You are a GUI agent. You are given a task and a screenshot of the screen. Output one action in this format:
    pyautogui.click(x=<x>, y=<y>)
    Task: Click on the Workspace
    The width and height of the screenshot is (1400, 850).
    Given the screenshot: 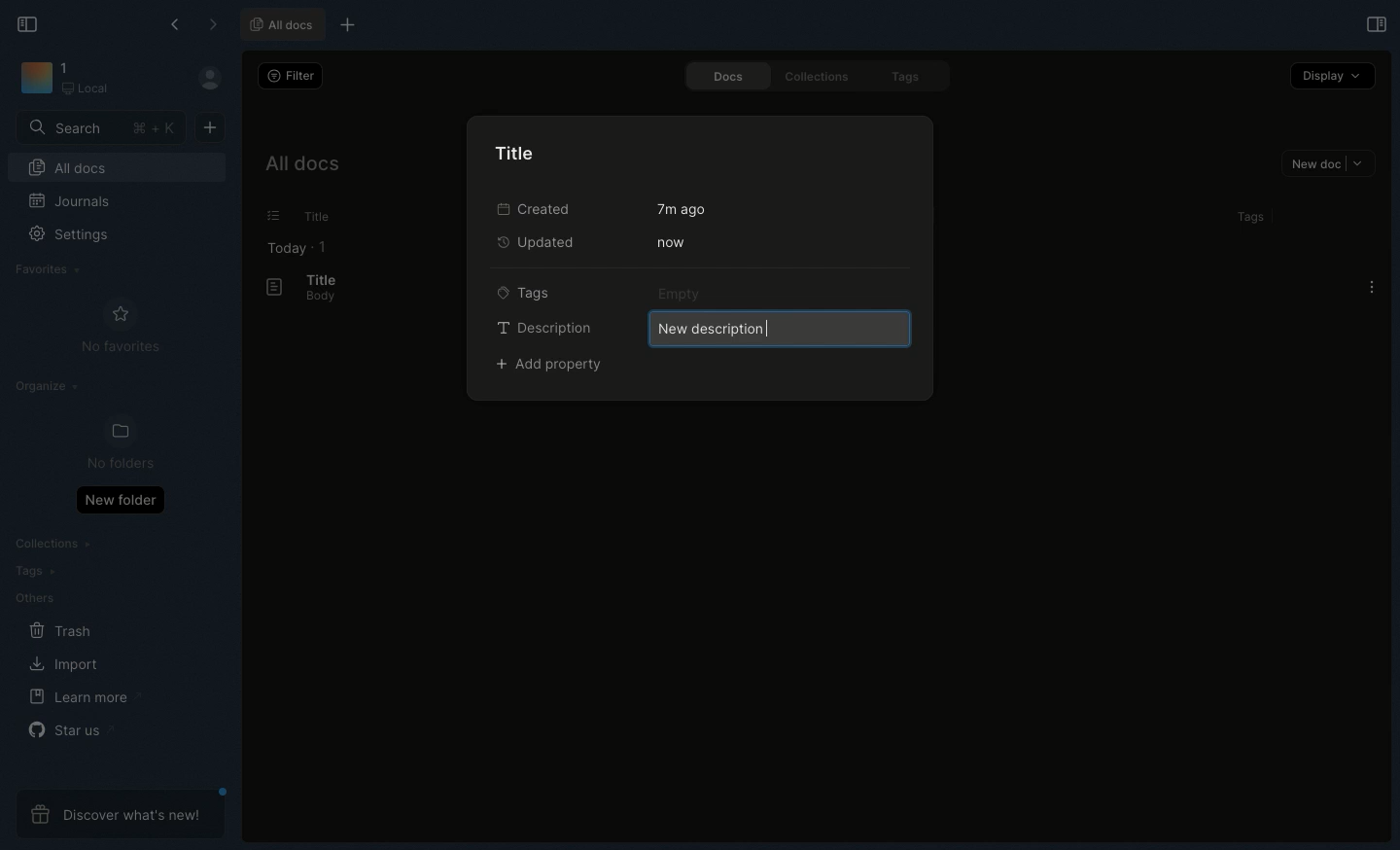 What is the action you would take?
    pyautogui.click(x=94, y=80)
    